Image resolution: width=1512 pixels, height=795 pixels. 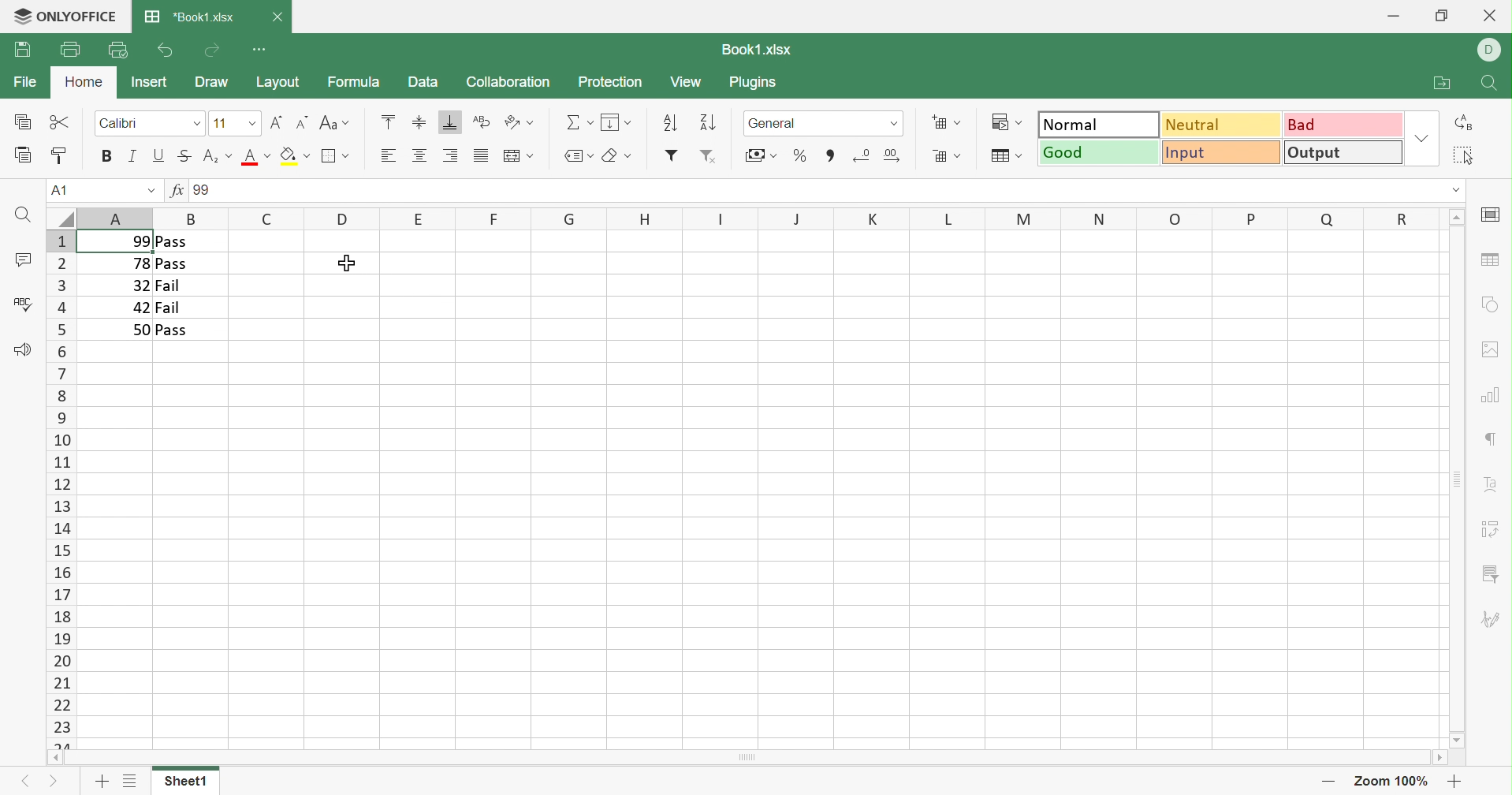 I want to click on Spell checking, so click(x=23, y=304).